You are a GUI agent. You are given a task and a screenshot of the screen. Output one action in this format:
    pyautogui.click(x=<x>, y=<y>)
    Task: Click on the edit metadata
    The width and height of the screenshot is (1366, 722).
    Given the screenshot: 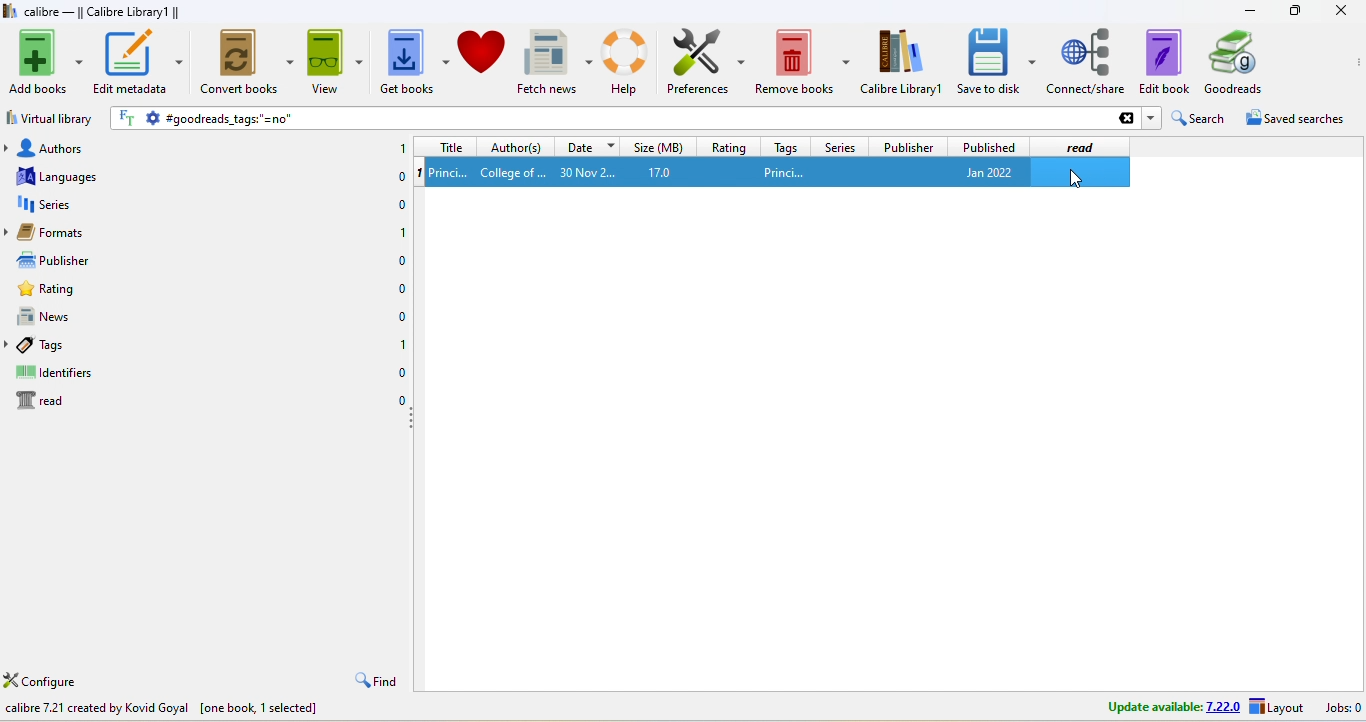 What is the action you would take?
    pyautogui.click(x=138, y=63)
    